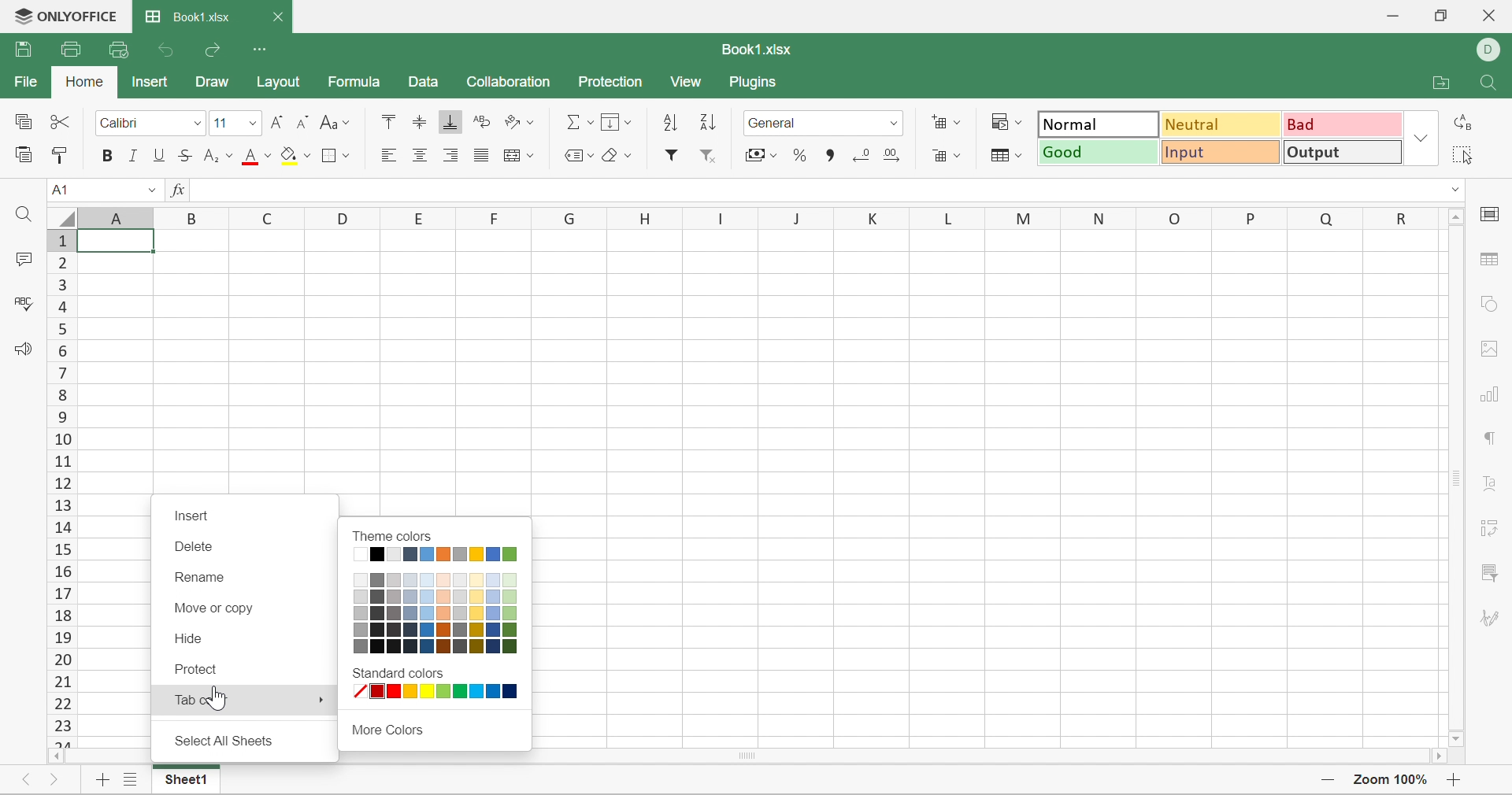  Describe the element at coordinates (1012, 216) in the screenshot. I see `M` at that location.